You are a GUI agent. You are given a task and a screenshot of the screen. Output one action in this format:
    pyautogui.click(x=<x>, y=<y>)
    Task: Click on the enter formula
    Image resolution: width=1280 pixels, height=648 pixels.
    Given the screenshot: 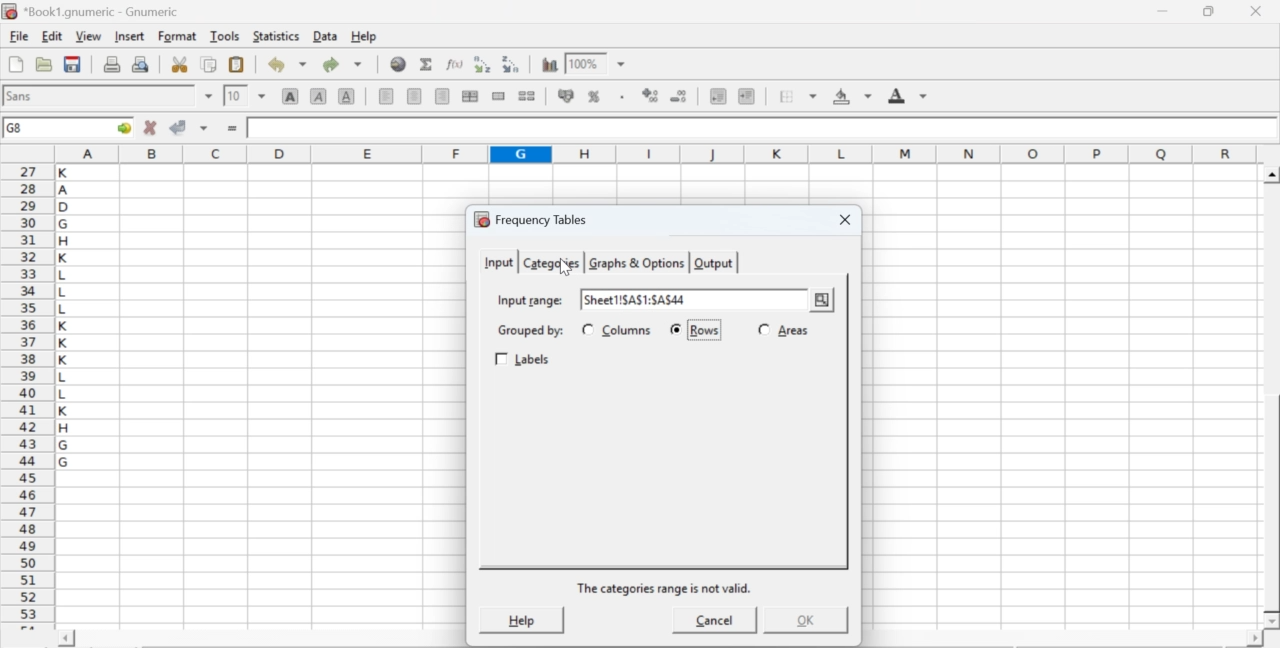 What is the action you would take?
    pyautogui.click(x=234, y=129)
    